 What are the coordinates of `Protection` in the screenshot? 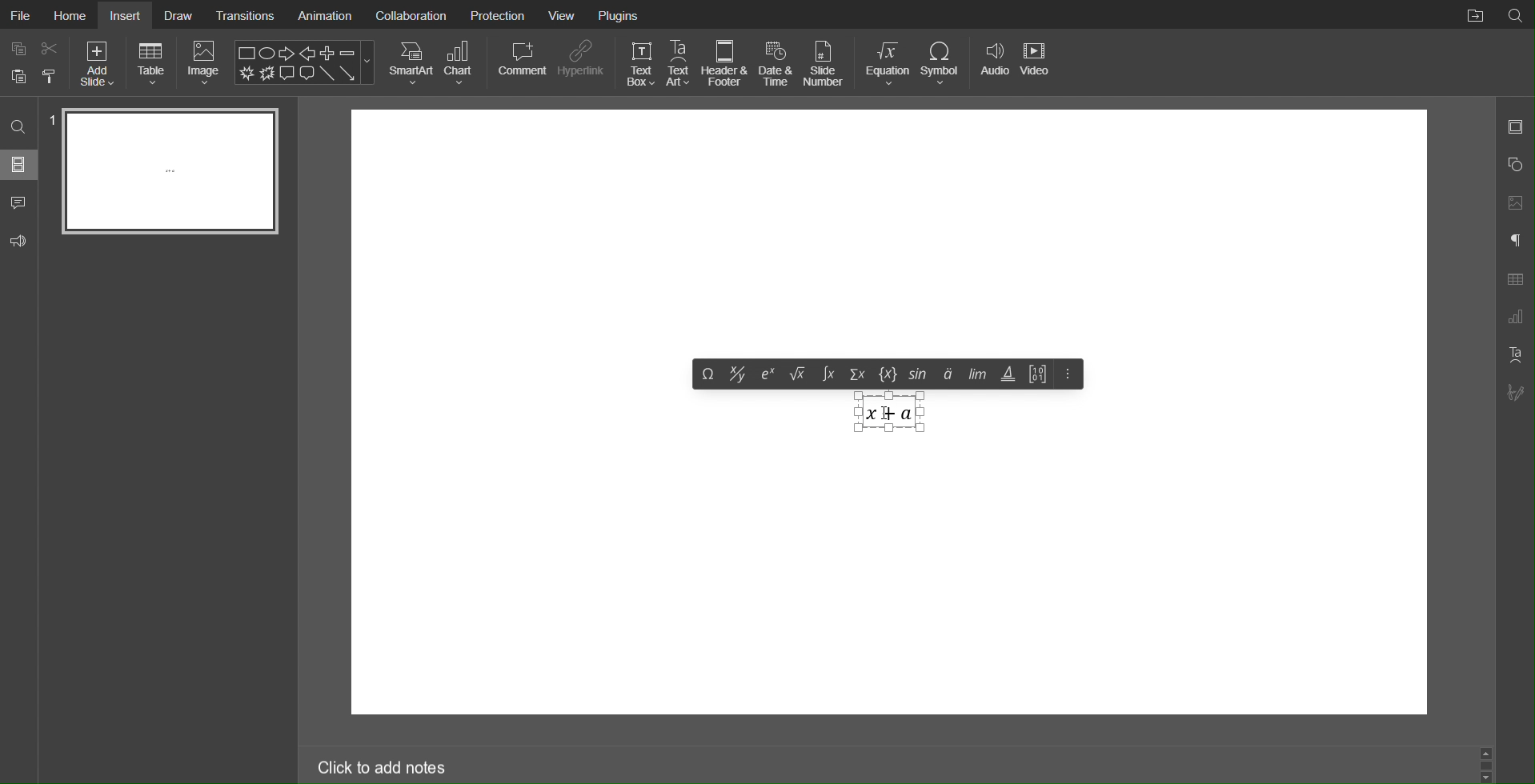 It's located at (496, 14).